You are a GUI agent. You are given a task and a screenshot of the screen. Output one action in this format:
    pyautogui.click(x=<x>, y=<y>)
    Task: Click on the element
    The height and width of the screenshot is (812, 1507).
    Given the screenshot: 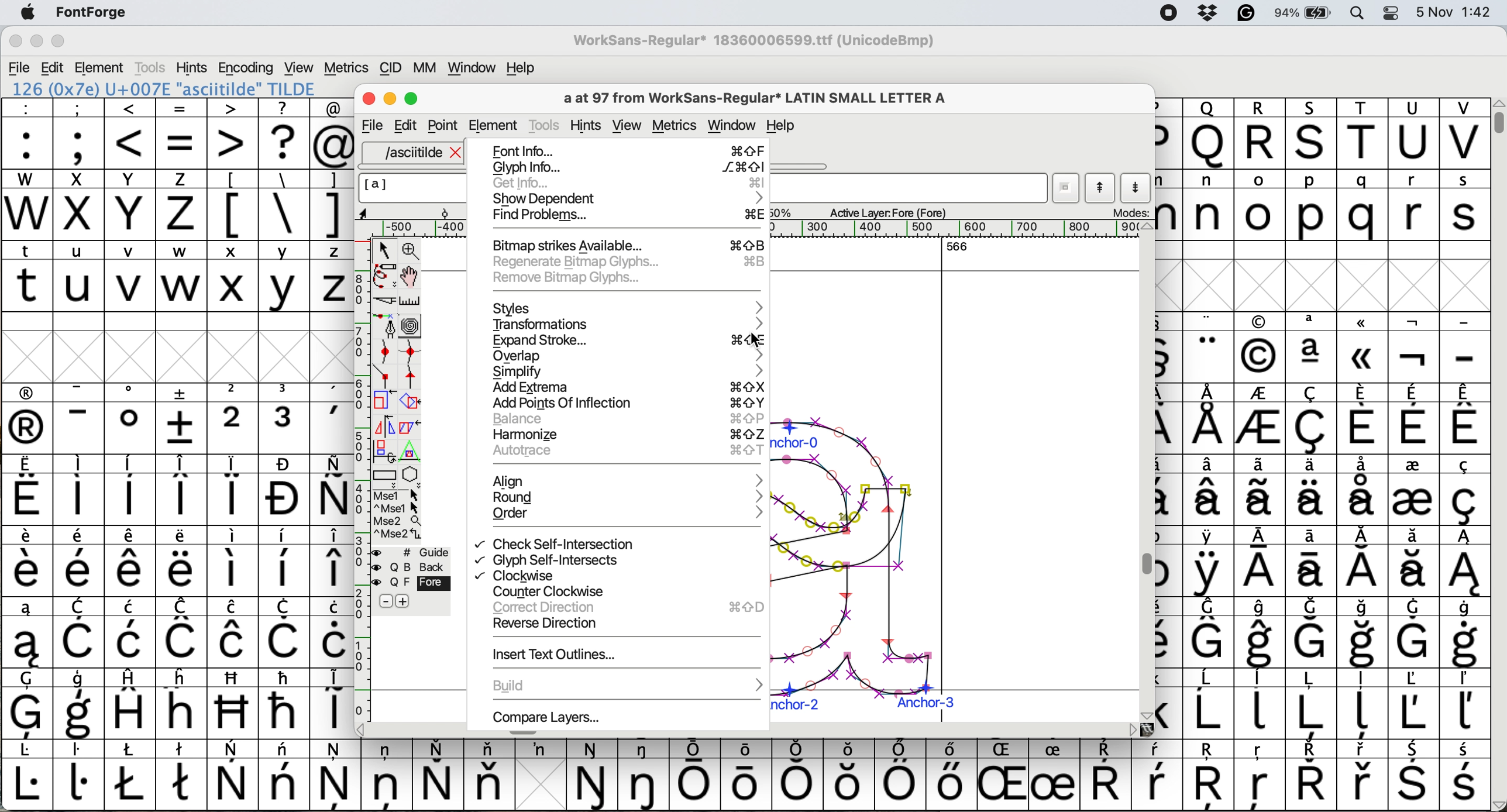 What is the action you would take?
    pyautogui.click(x=101, y=67)
    